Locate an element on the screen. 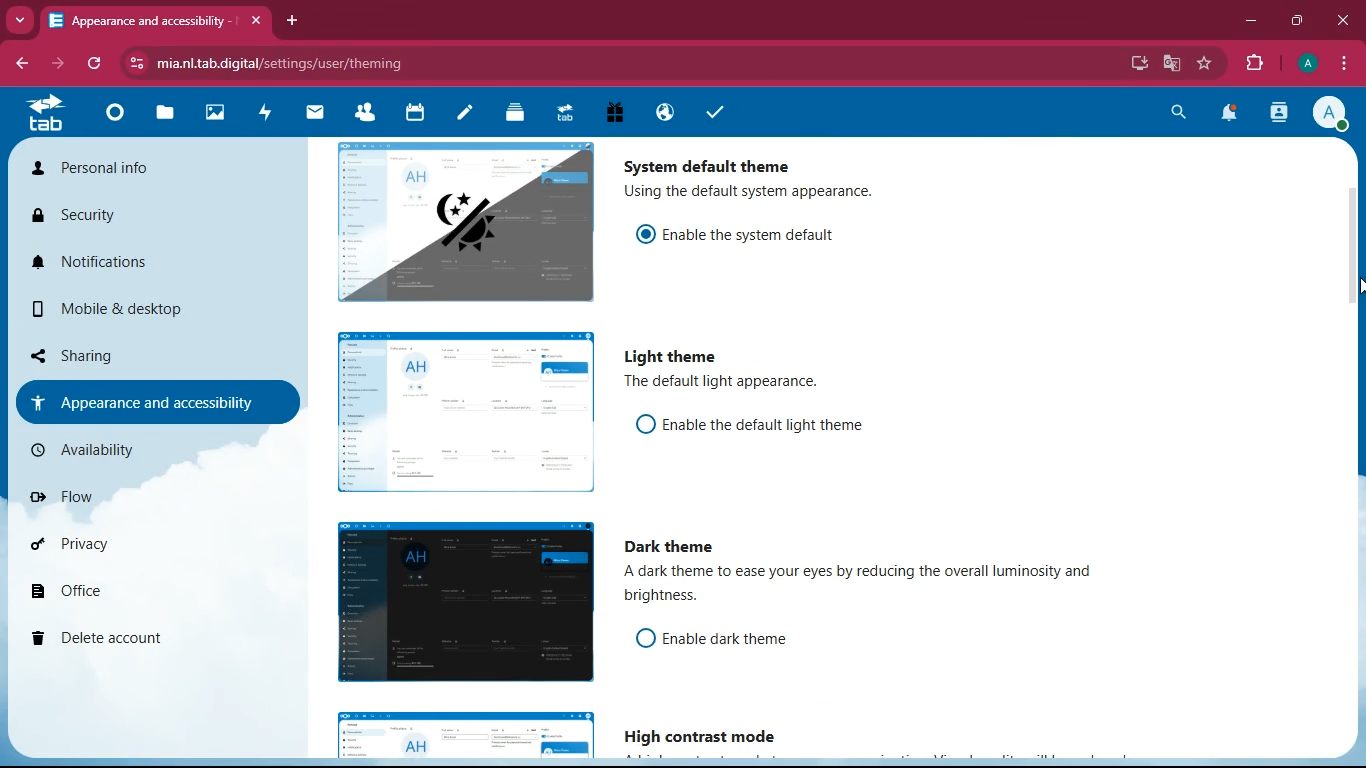 The image size is (1366, 768). favourite is located at coordinates (1207, 64).